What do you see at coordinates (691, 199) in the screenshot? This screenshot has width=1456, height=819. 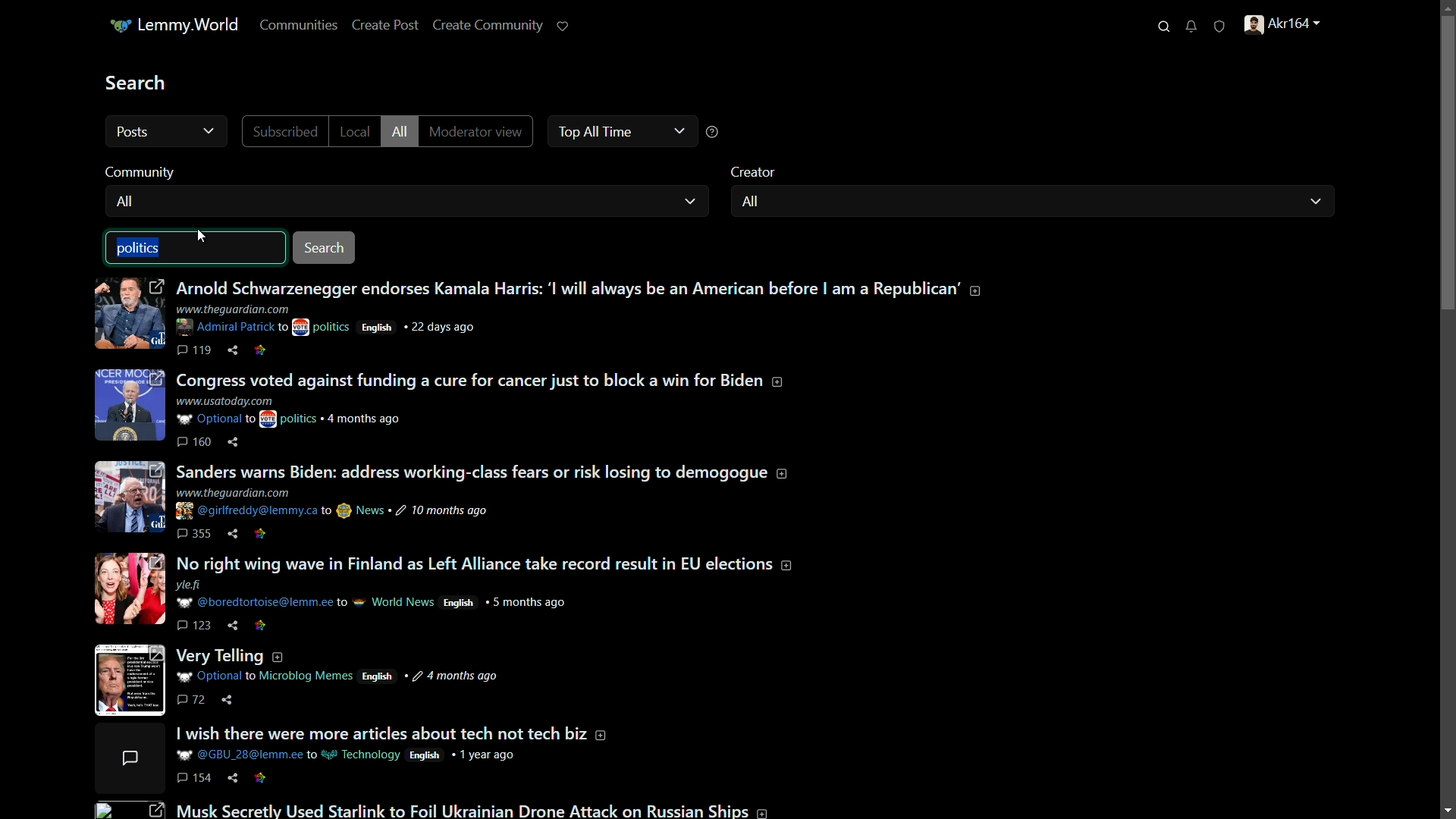 I see `dropdown` at bounding box center [691, 199].